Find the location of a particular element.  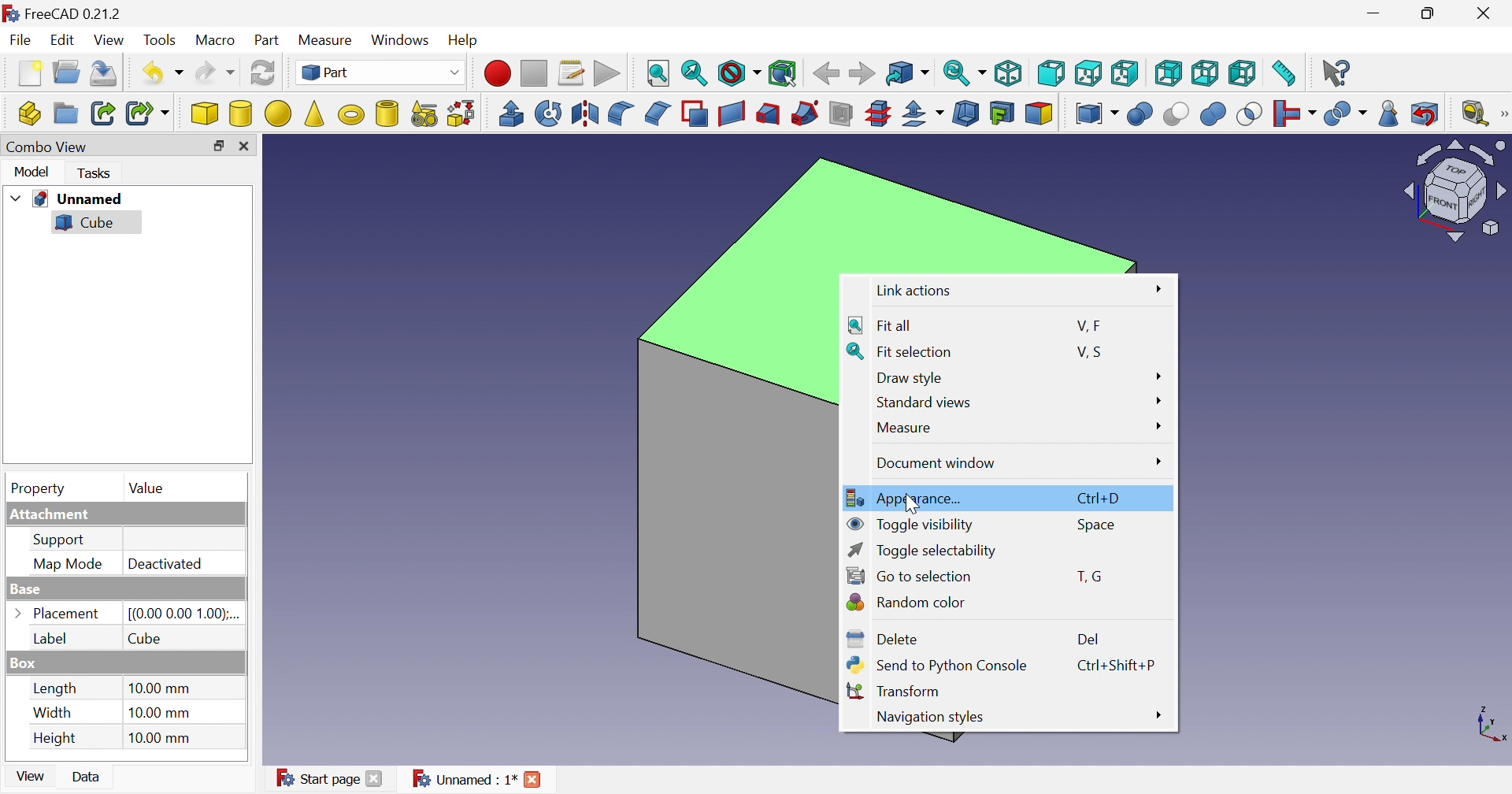

[Measure] is located at coordinates (1503, 113).